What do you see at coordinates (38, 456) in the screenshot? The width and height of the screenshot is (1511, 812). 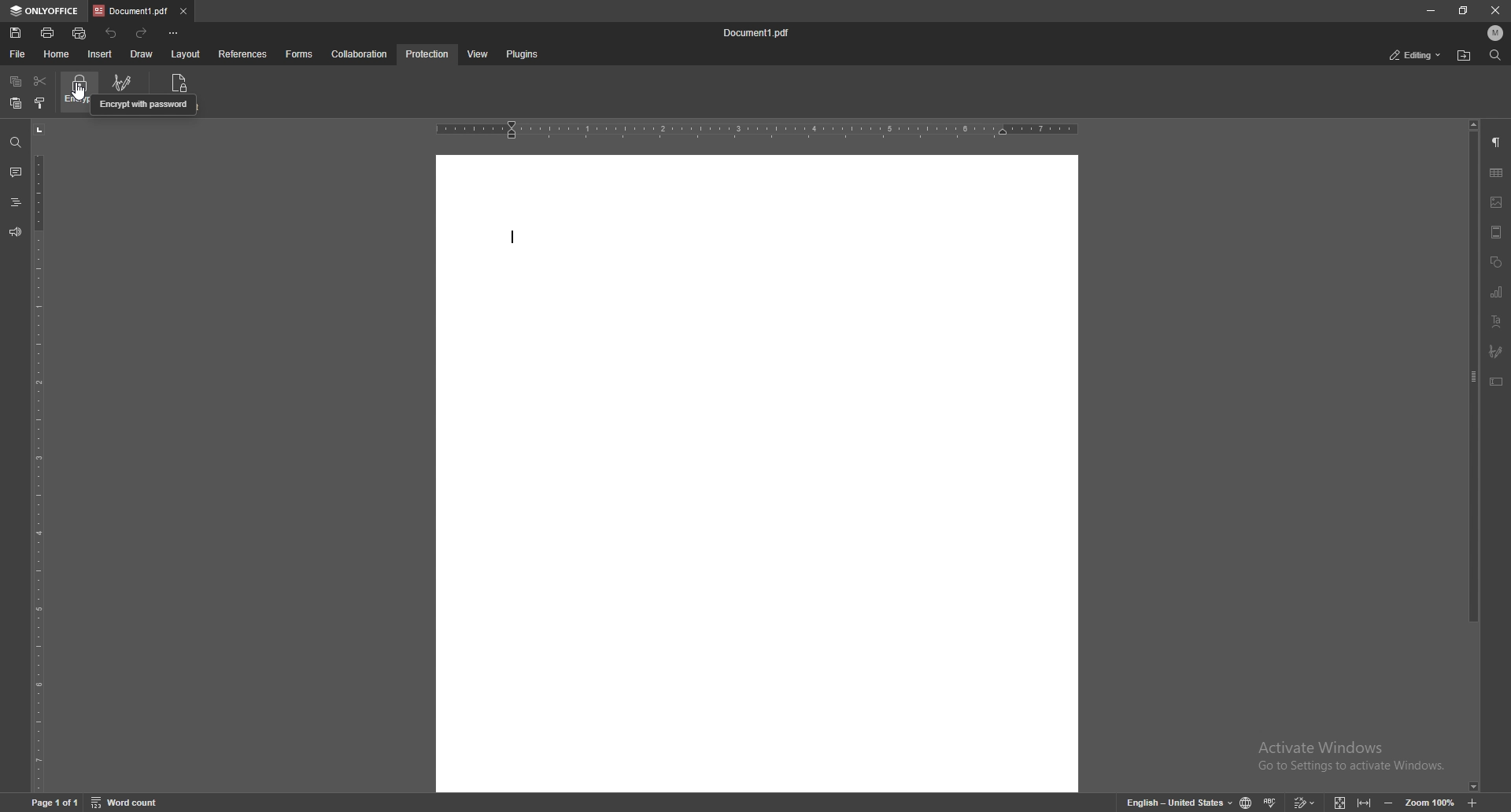 I see `vertical scale` at bounding box center [38, 456].